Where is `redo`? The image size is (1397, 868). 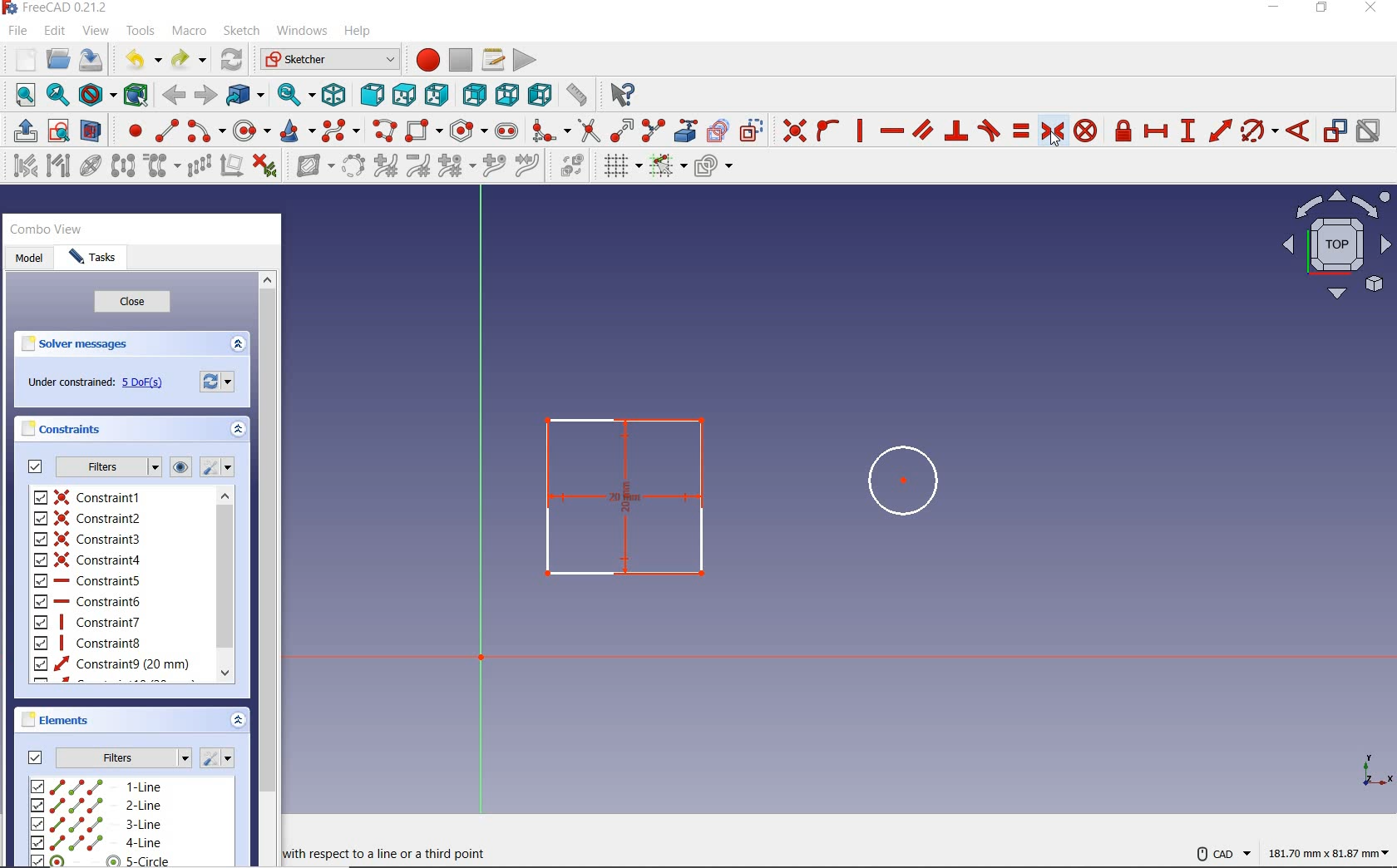
redo is located at coordinates (189, 59).